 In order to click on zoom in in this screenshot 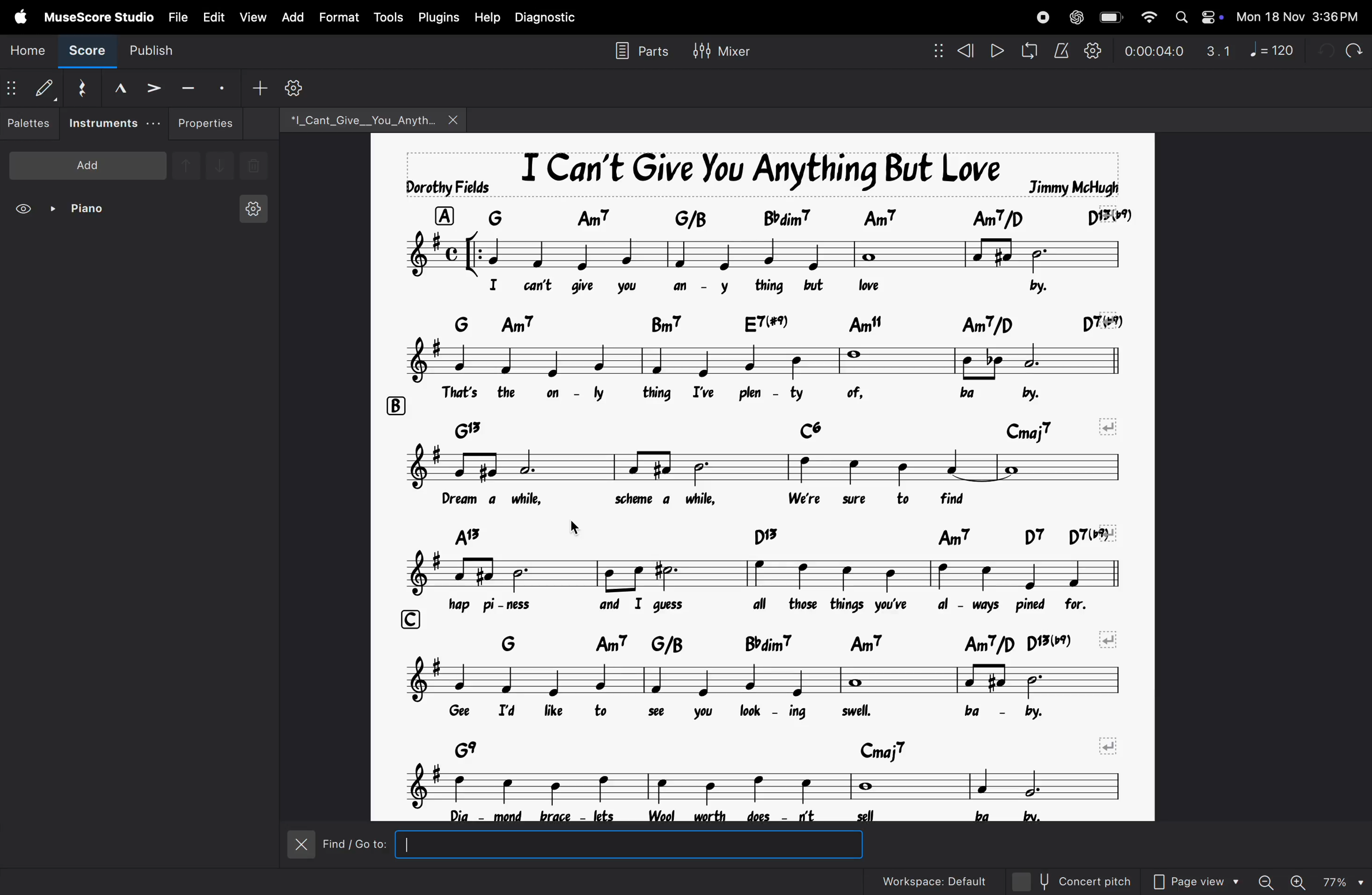, I will do `click(1298, 881)`.